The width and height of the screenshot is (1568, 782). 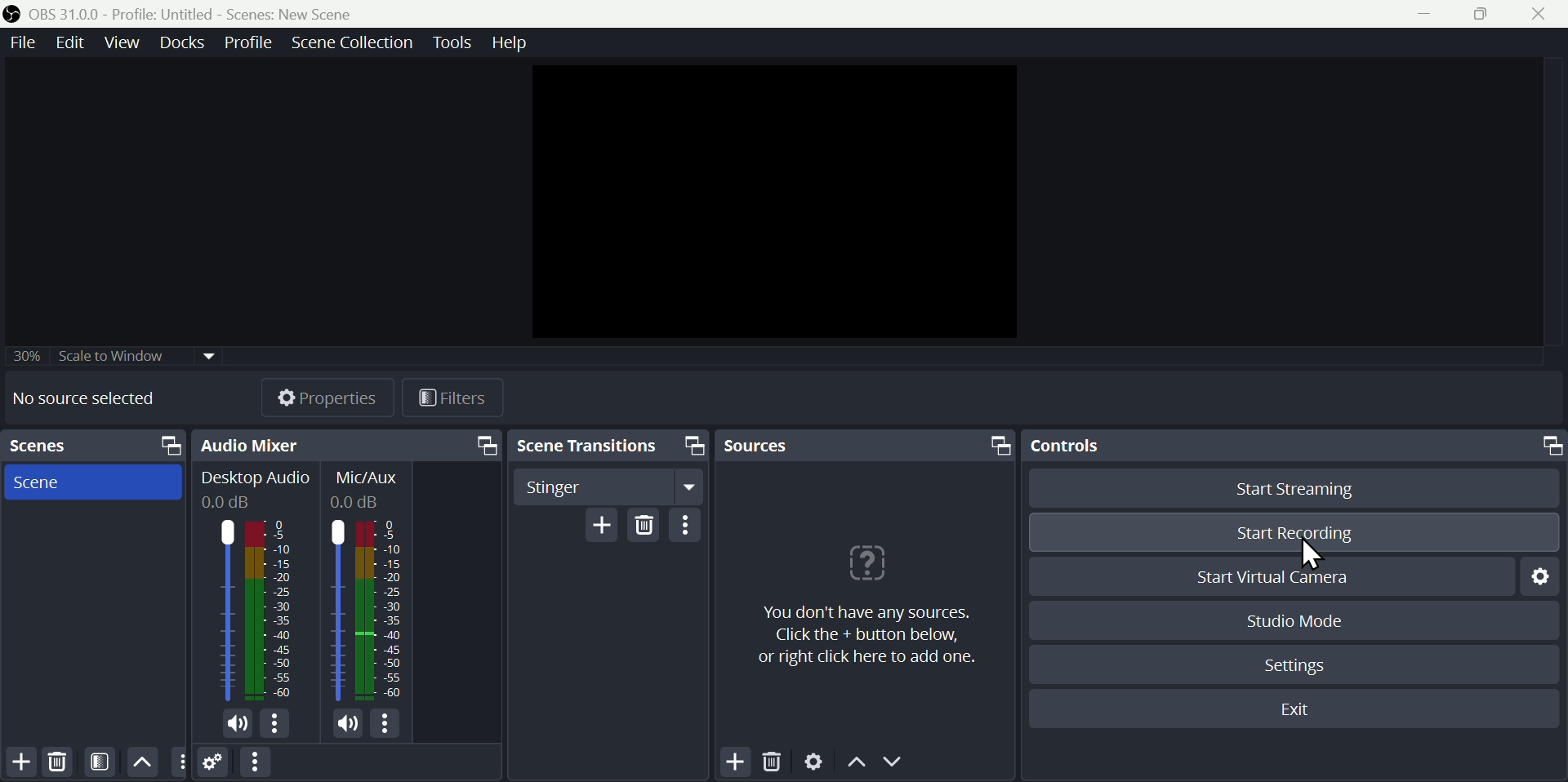 I want to click on Profile, so click(x=248, y=42).